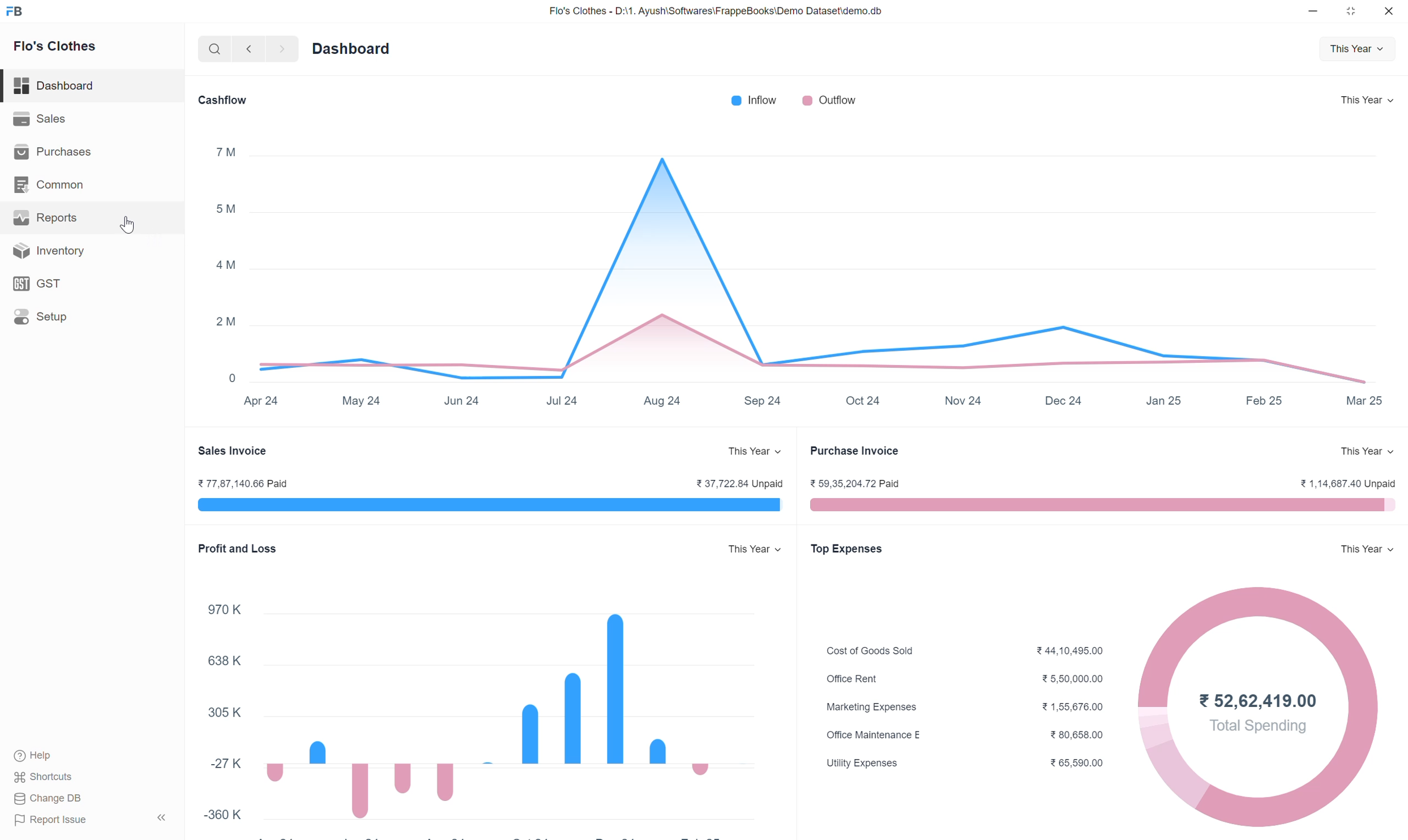 The width and height of the screenshot is (1408, 840). What do you see at coordinates (1251, 697) in the screenshot?
I see `¥52,62,419.00` at bounding box center [1251, 697].